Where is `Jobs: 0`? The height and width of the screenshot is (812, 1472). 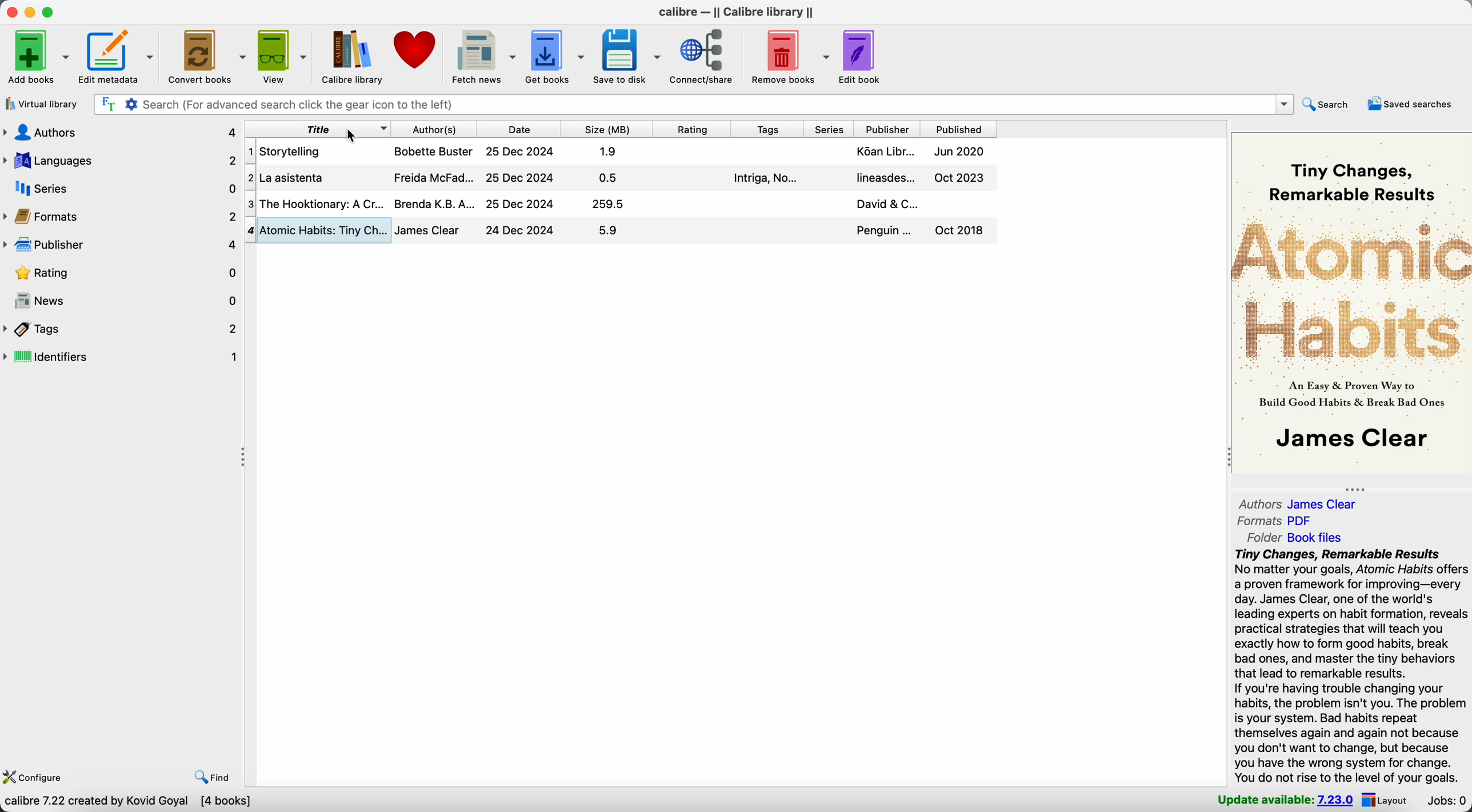 Jobs: 0 is located at coordinates (1446, 801).